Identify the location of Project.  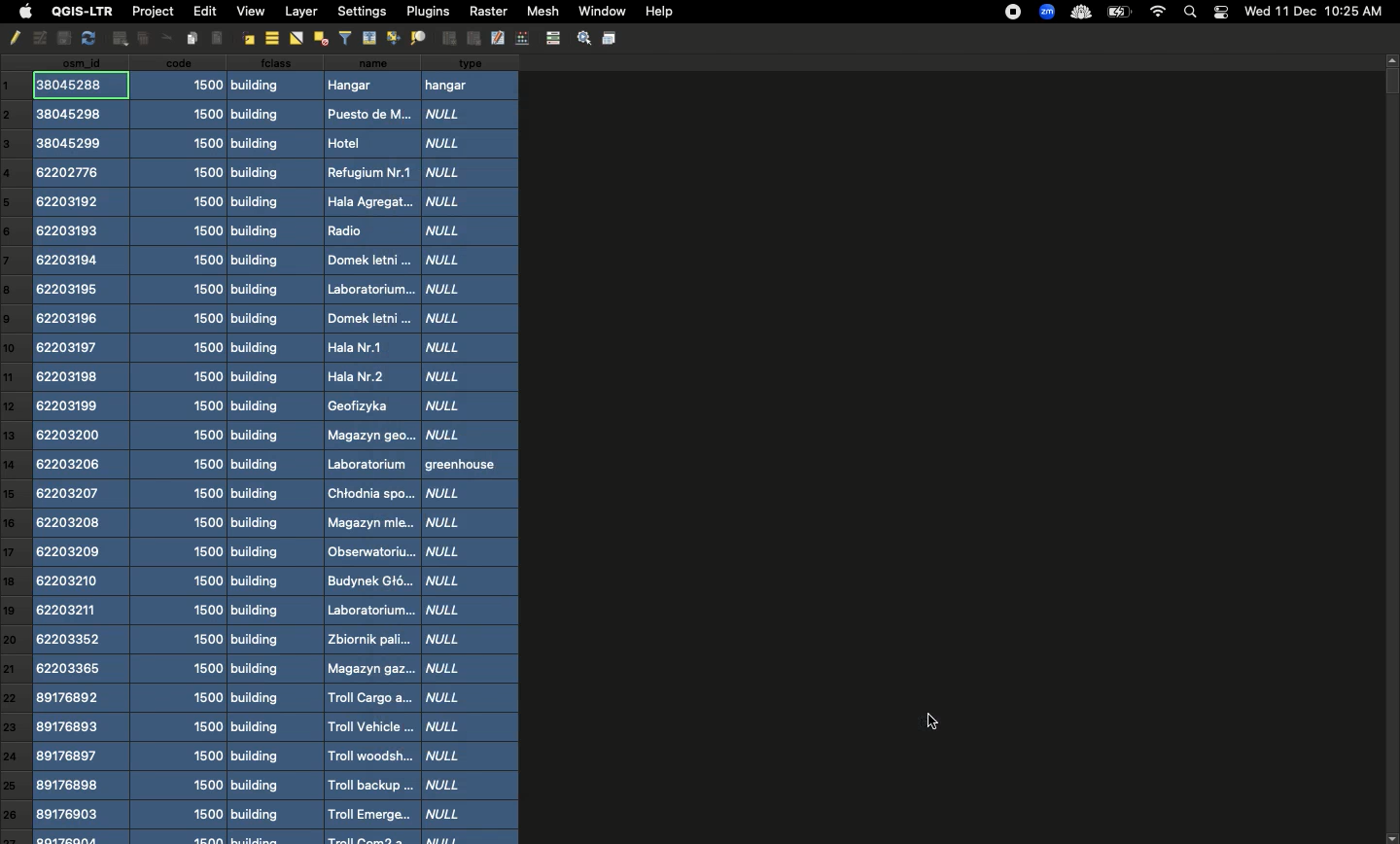
(152, 13).